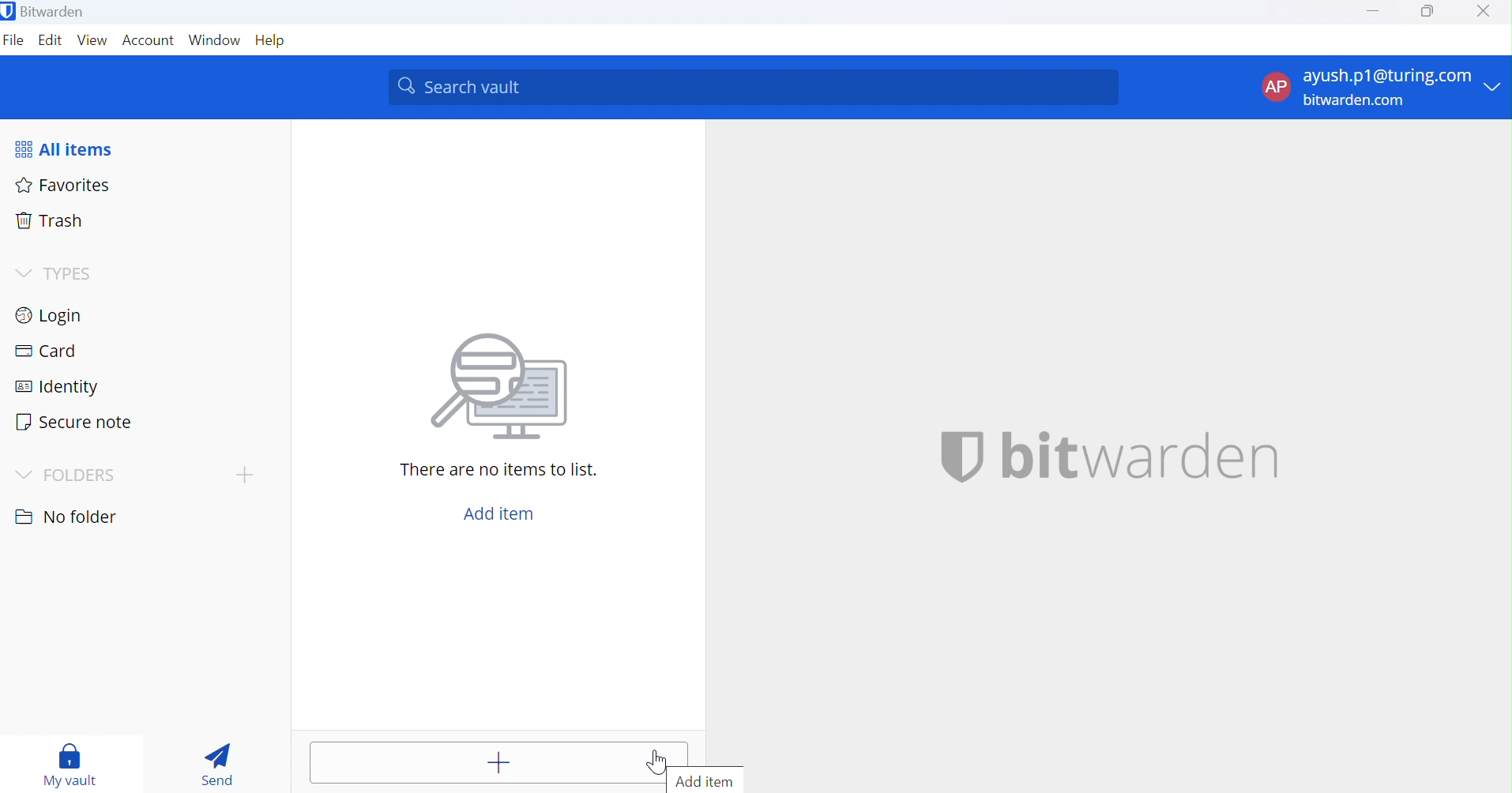 This screenshot has width=1512, height=793. What do you see at coordinates (50, 314) in the screenshot?
I see `Login` at bounding box center [50, 314].